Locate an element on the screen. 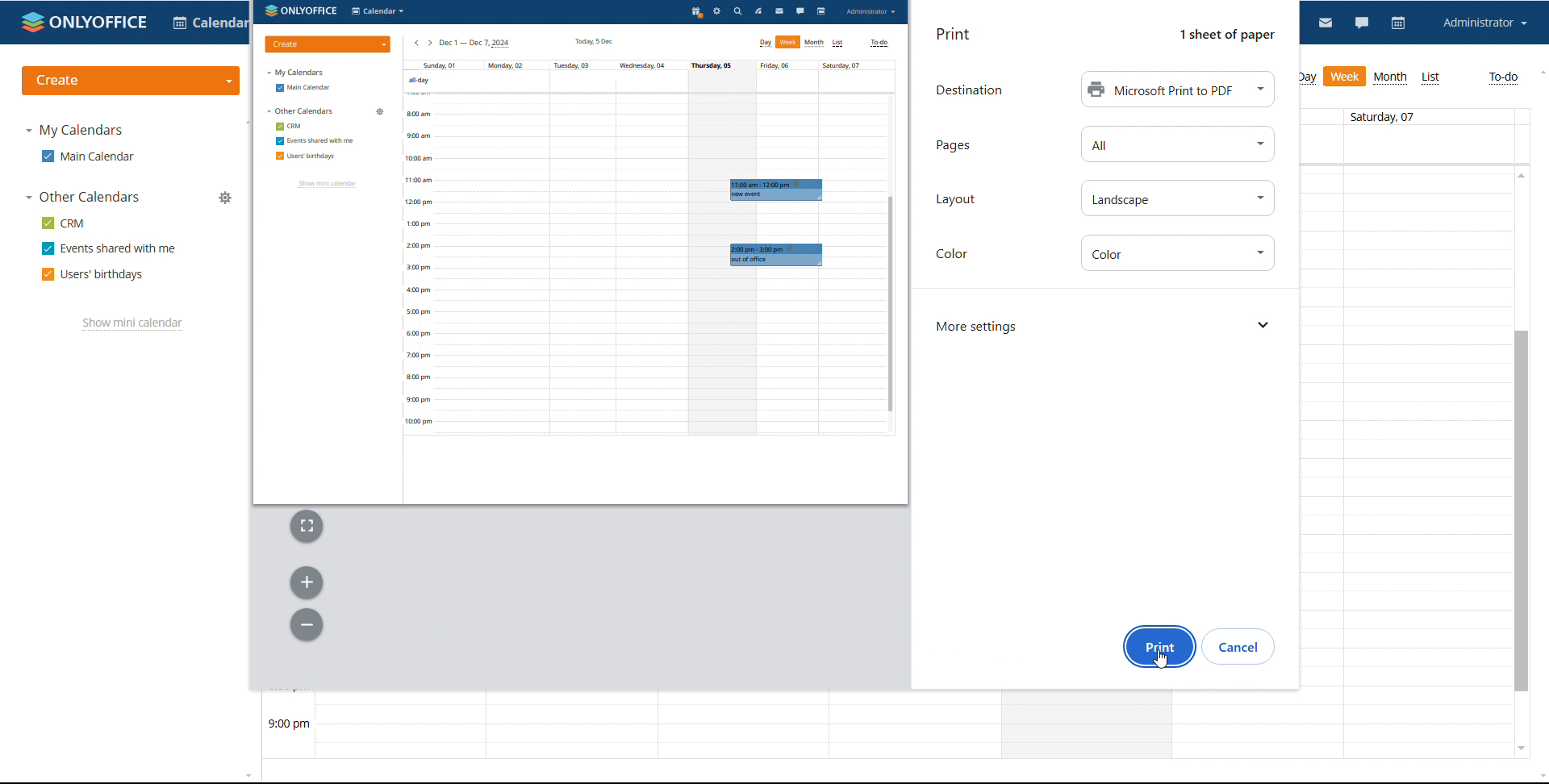  cancel is located at coordinates (1238, 646).